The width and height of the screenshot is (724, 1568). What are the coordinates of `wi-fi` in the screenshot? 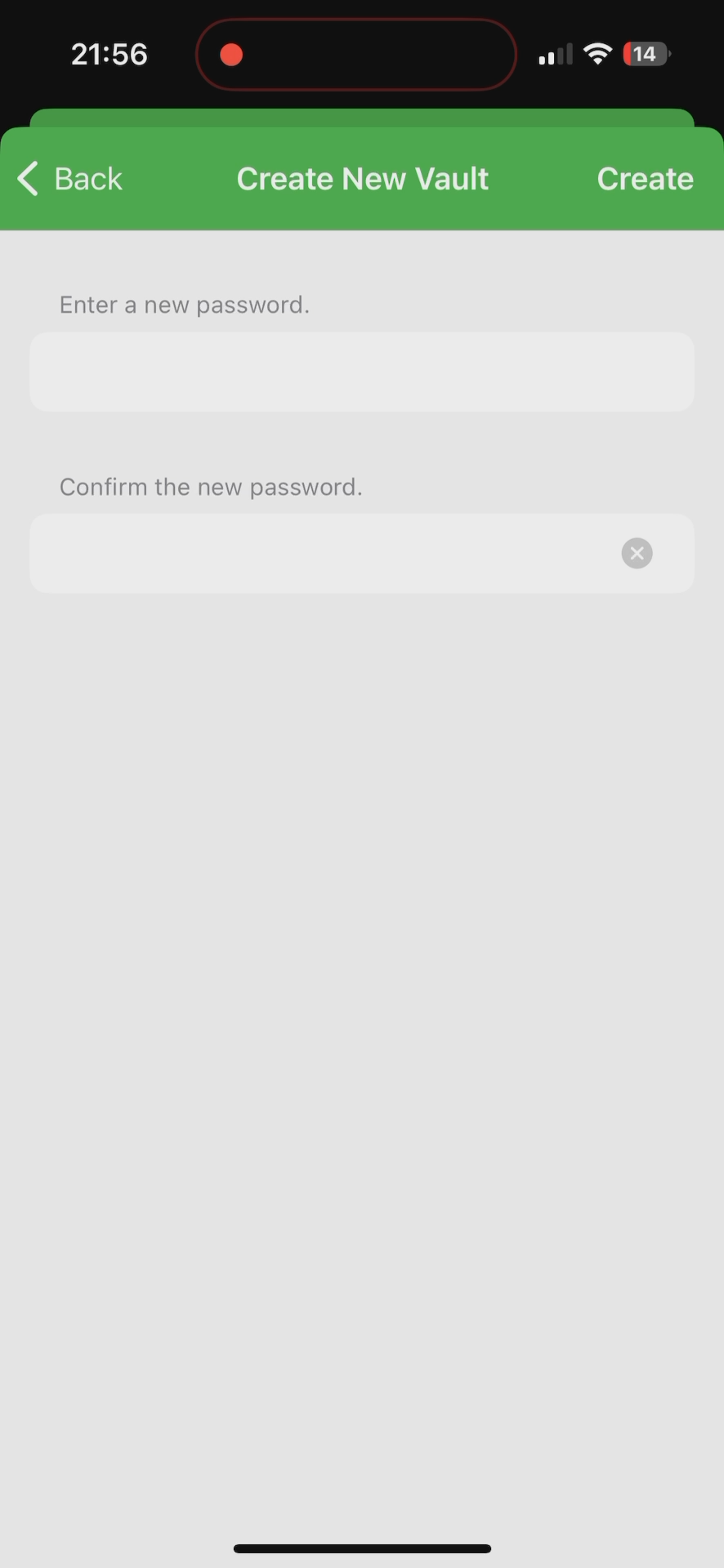 It's located at (599, 60).